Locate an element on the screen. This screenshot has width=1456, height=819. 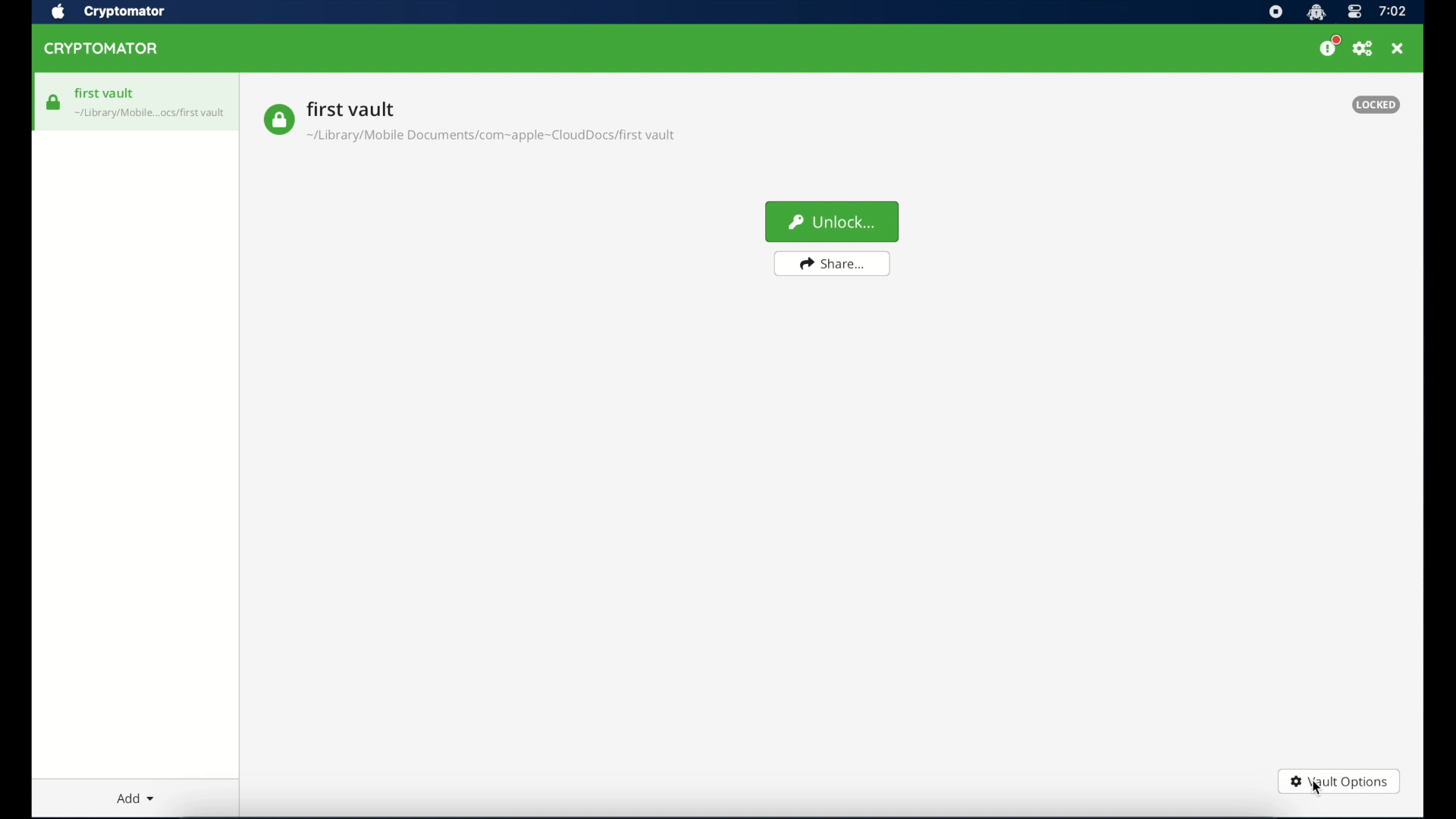
unlock is located at coordinates (833, 222).